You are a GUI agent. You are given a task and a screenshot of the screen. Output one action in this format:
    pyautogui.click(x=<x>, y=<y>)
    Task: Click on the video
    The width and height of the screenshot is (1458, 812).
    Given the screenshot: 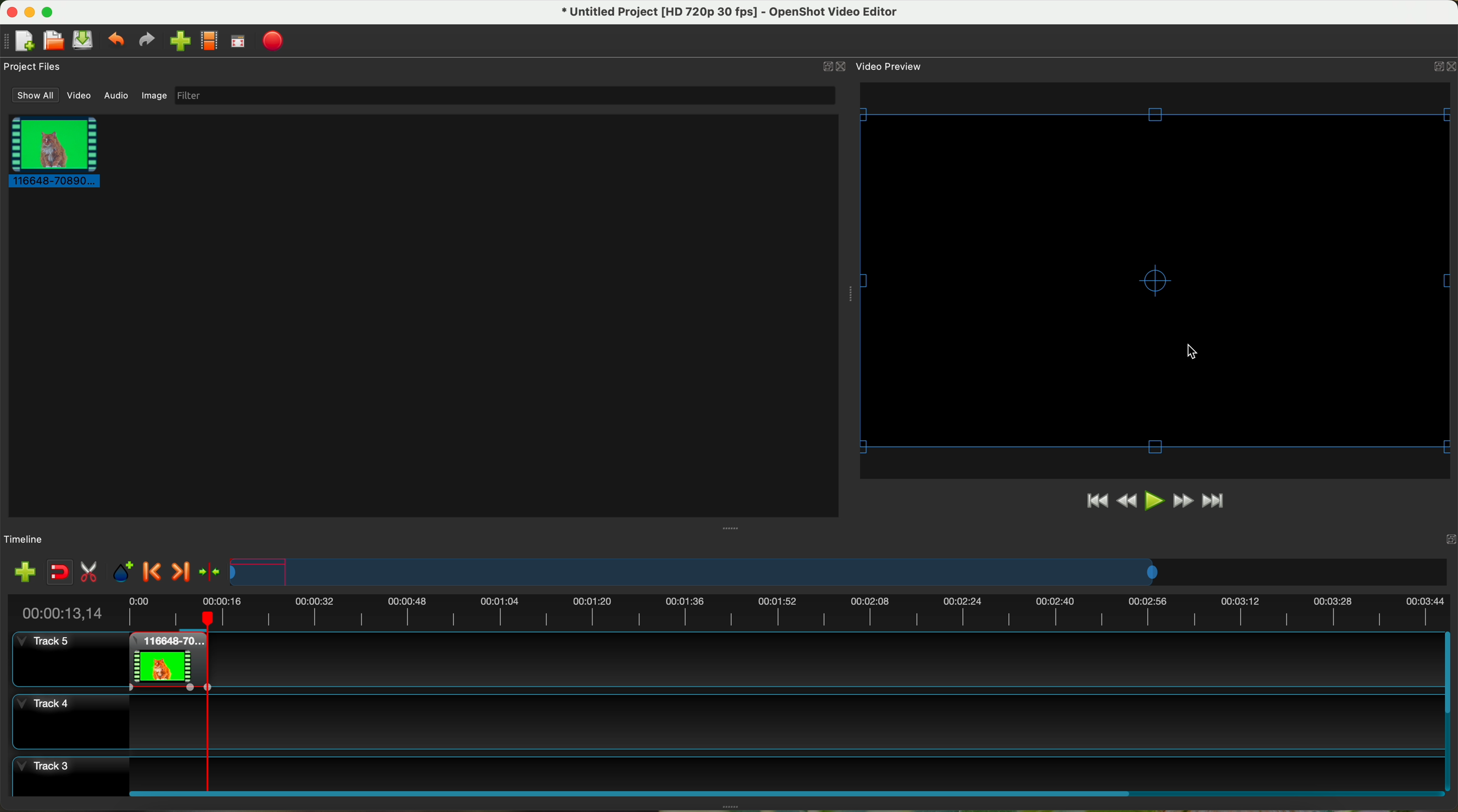 What is the action you would take?
    pyautogui.click(x=80, y=96)
    